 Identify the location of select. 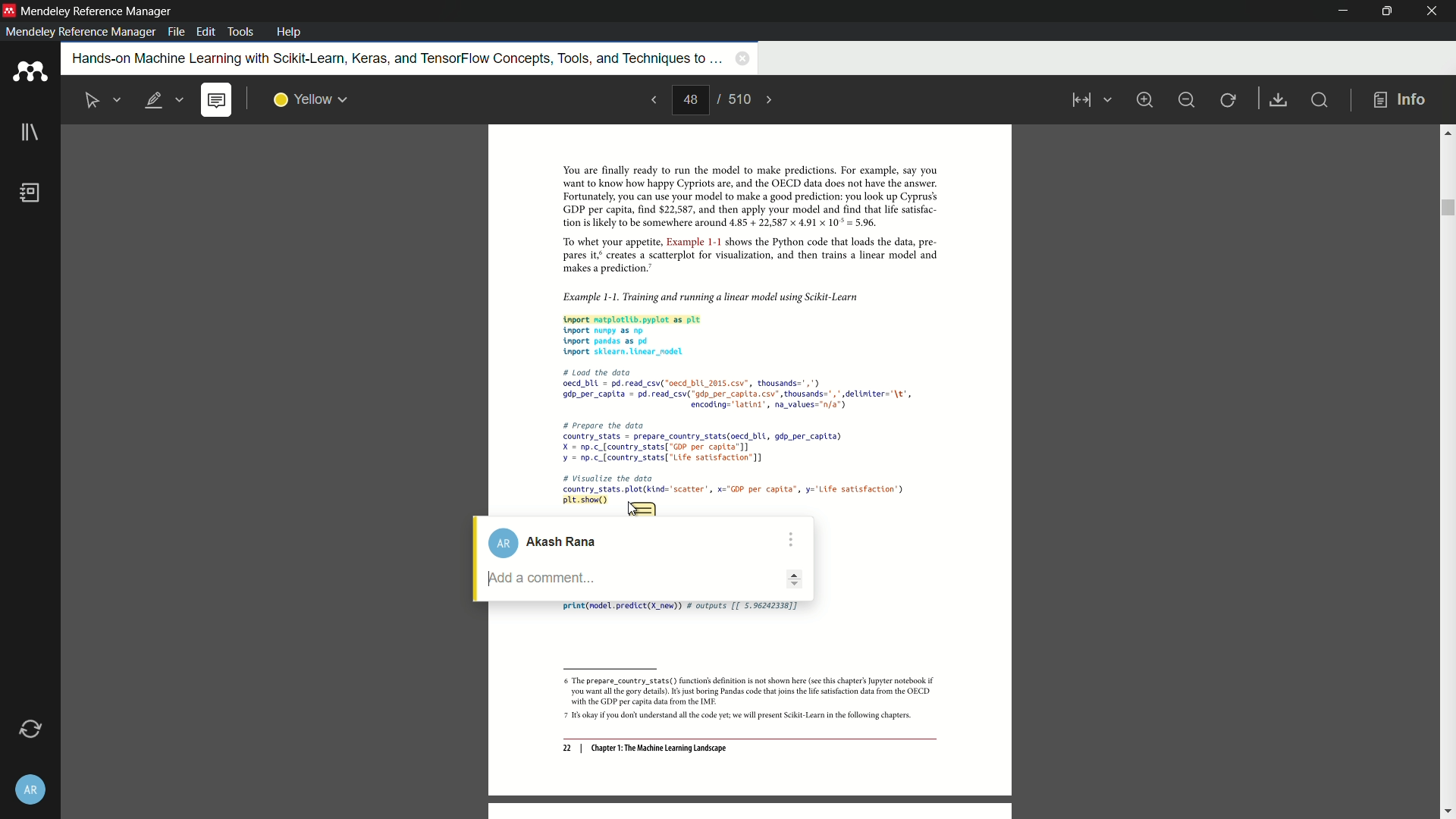
(93, 101).